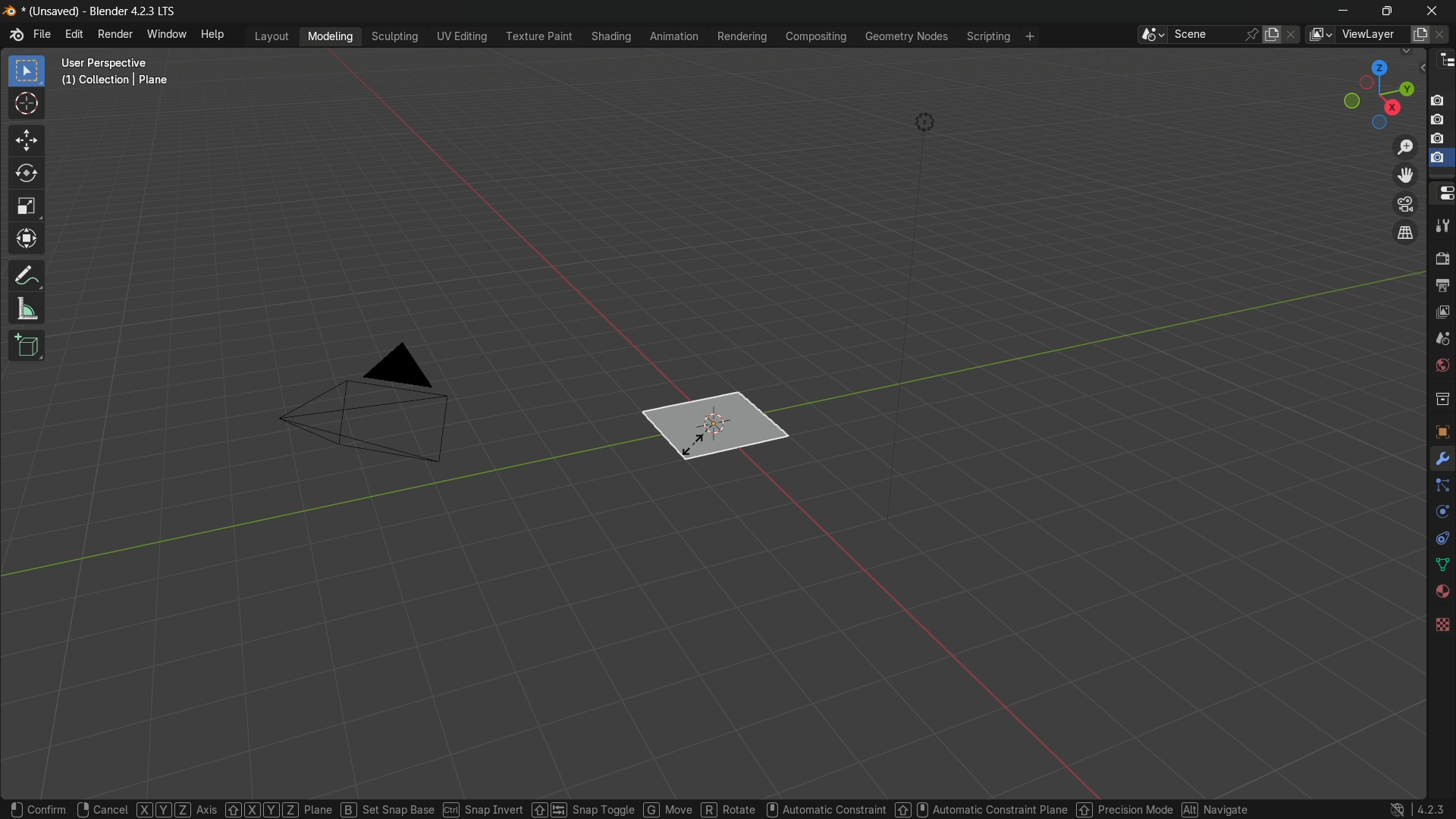  Describe the element at coordinates (1294, 36) in the screenshot. I see `delete scene` at that location.